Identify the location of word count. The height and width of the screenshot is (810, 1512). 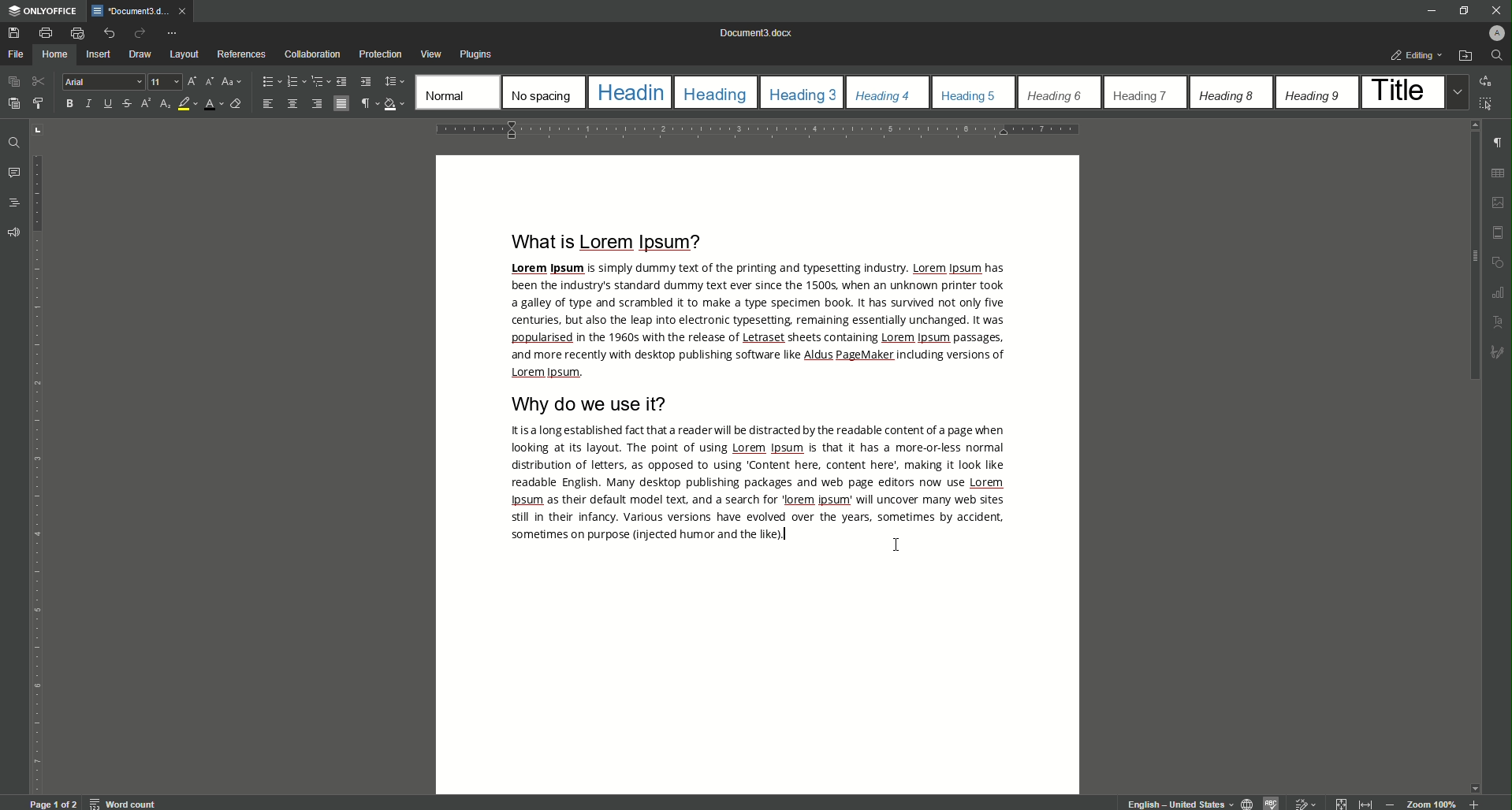
(121, 804).